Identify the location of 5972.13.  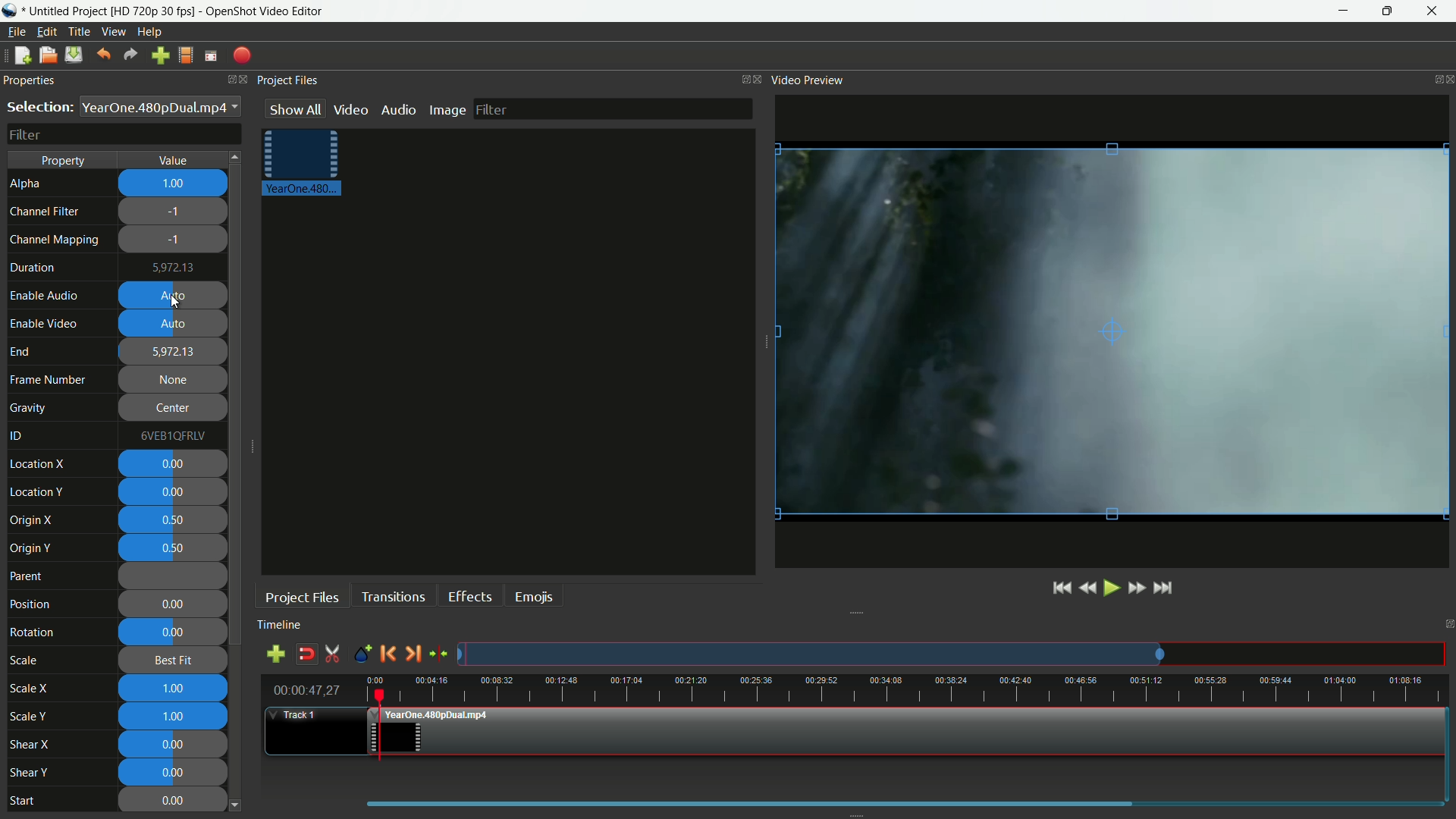
(177, 268).